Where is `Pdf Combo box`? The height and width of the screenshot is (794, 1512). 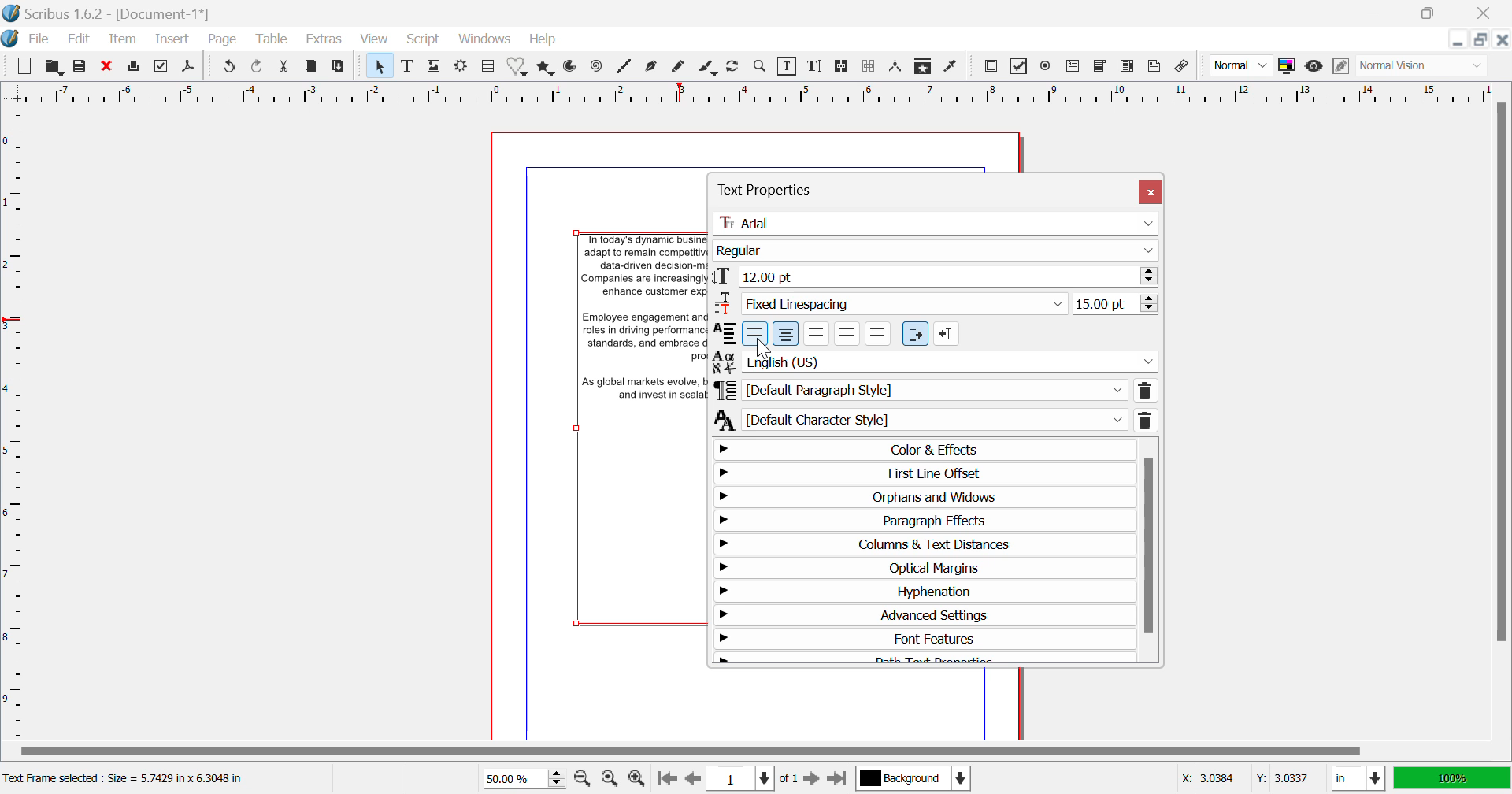 Pdf Combo box is located at coordinates (1101, 64).